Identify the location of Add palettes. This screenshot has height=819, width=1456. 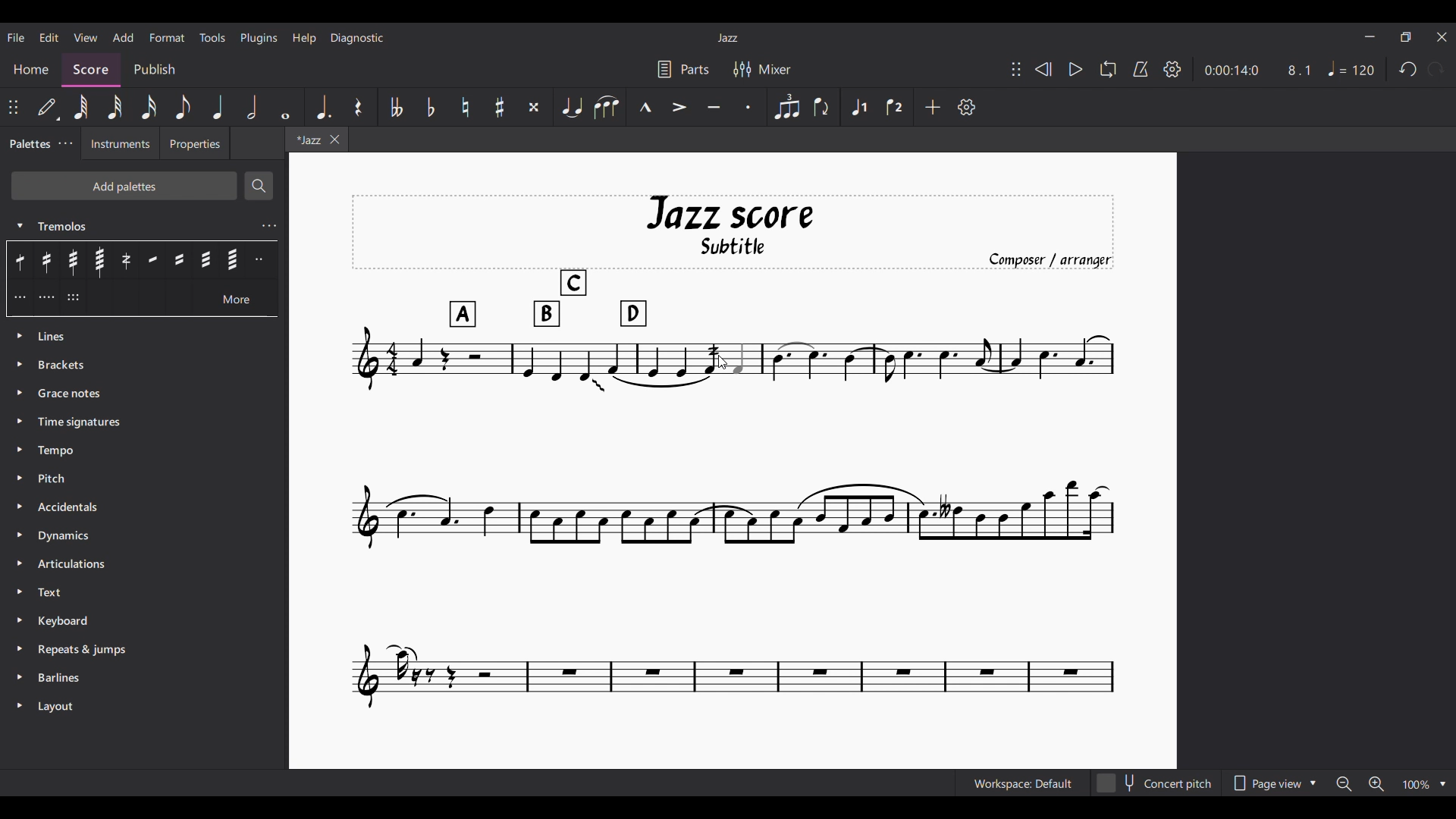
(124, 186).